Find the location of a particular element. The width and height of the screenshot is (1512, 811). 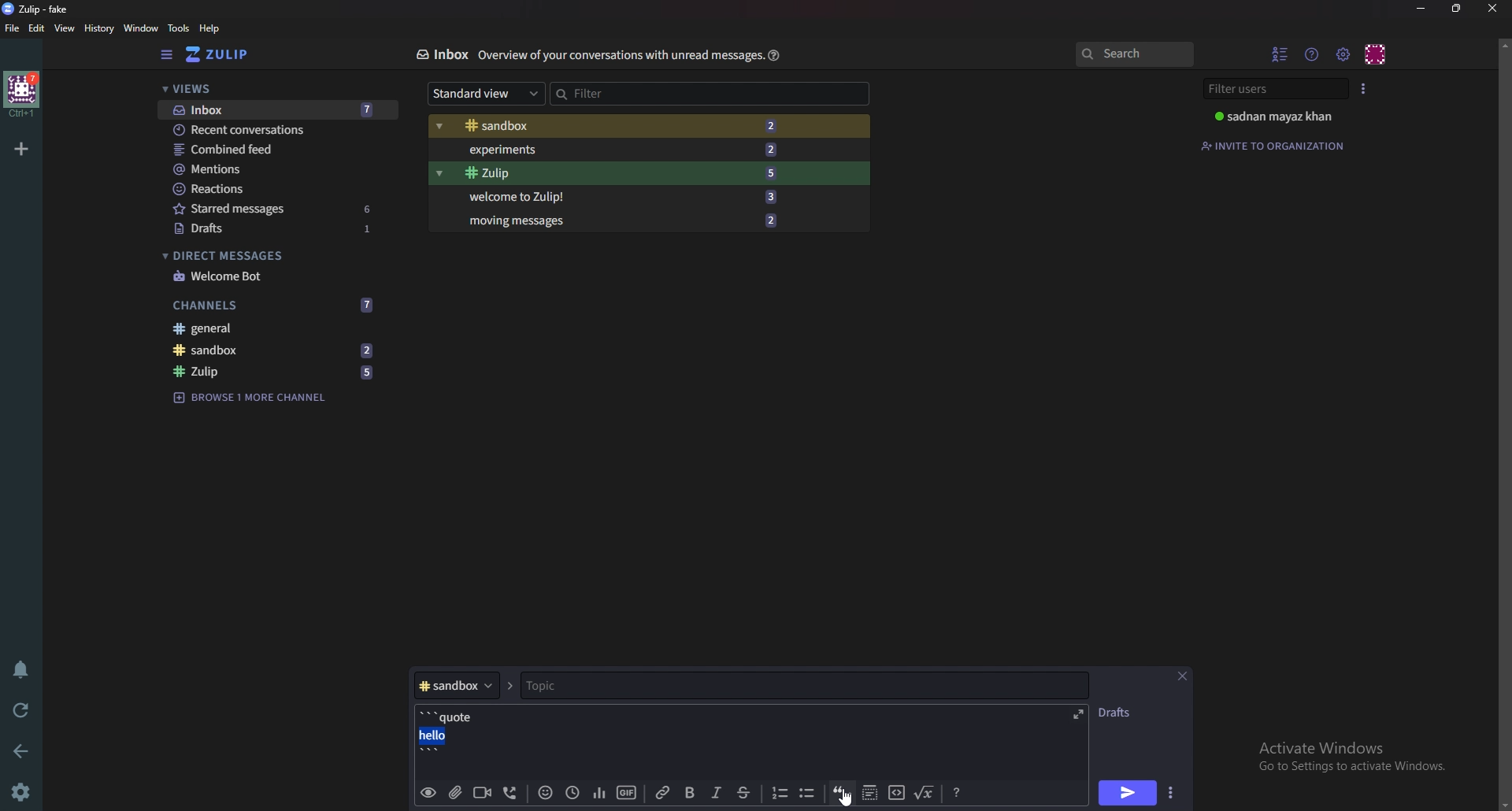

Views is located at coordinates (267, 89).